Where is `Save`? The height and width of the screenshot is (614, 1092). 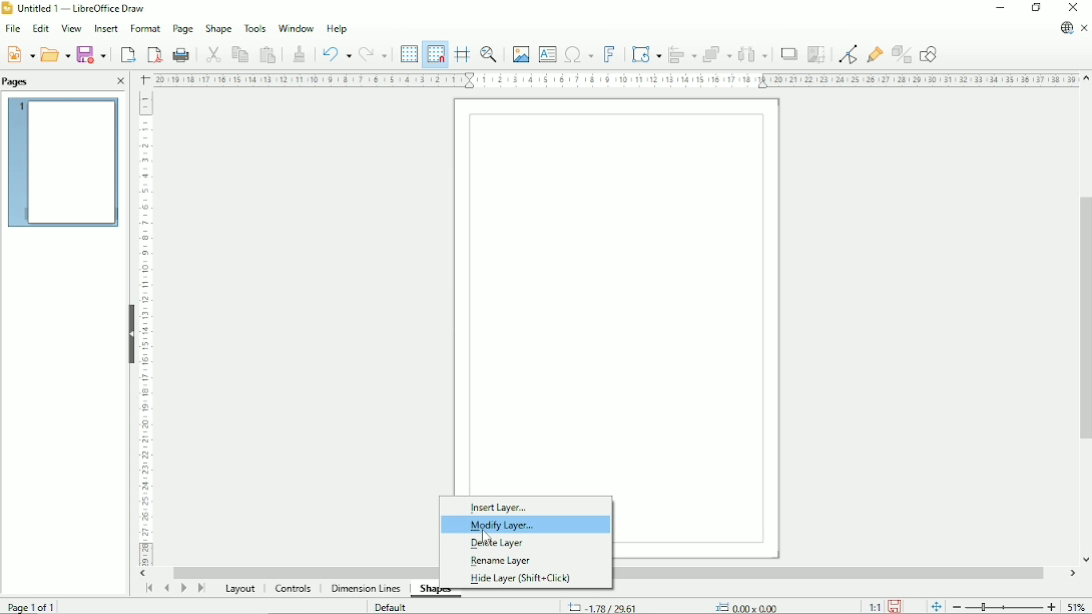
Save is located at coordinates (93, 54).